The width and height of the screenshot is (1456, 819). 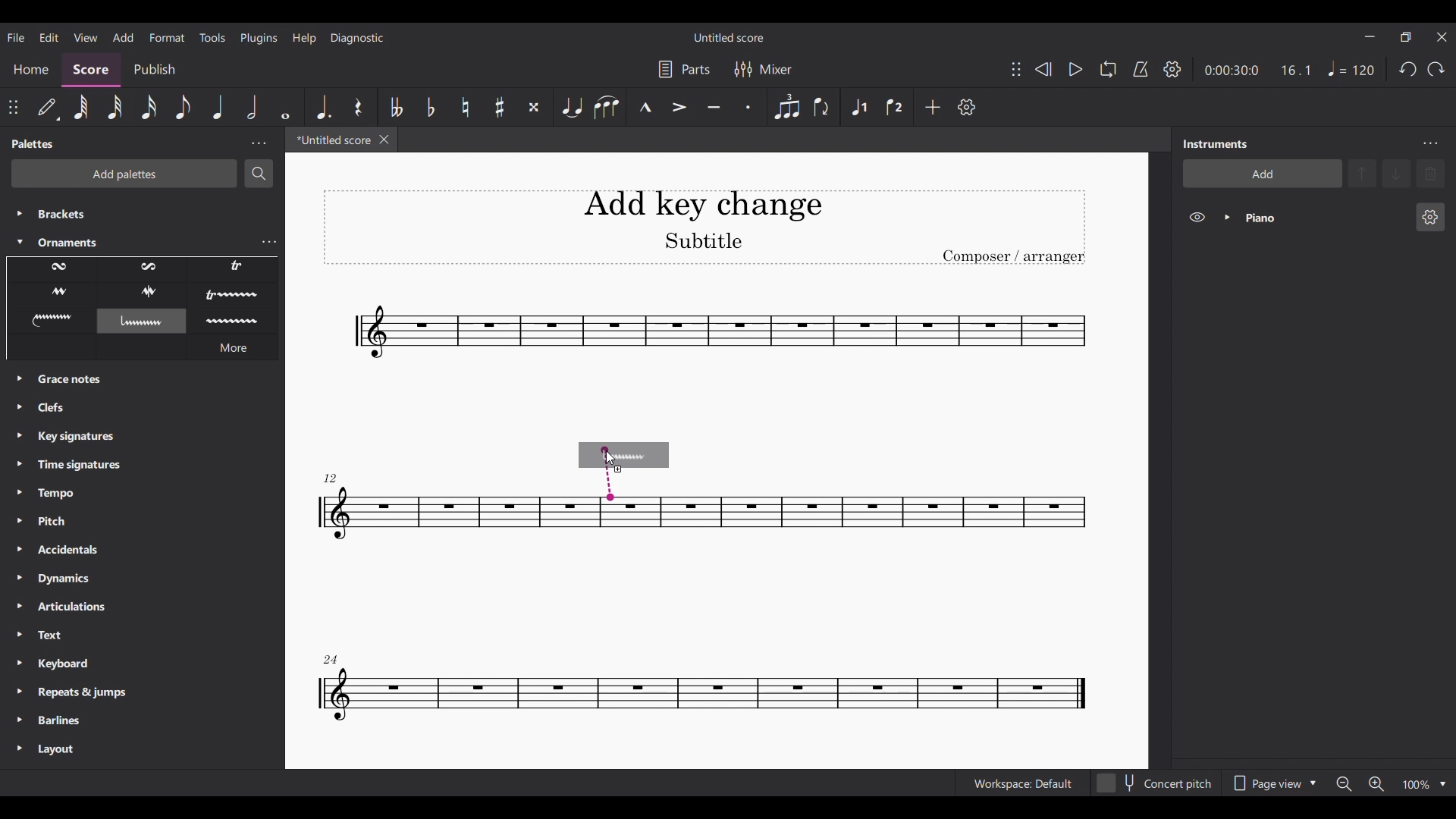 I want to click on 32nd note, so click(x=115, y=107).